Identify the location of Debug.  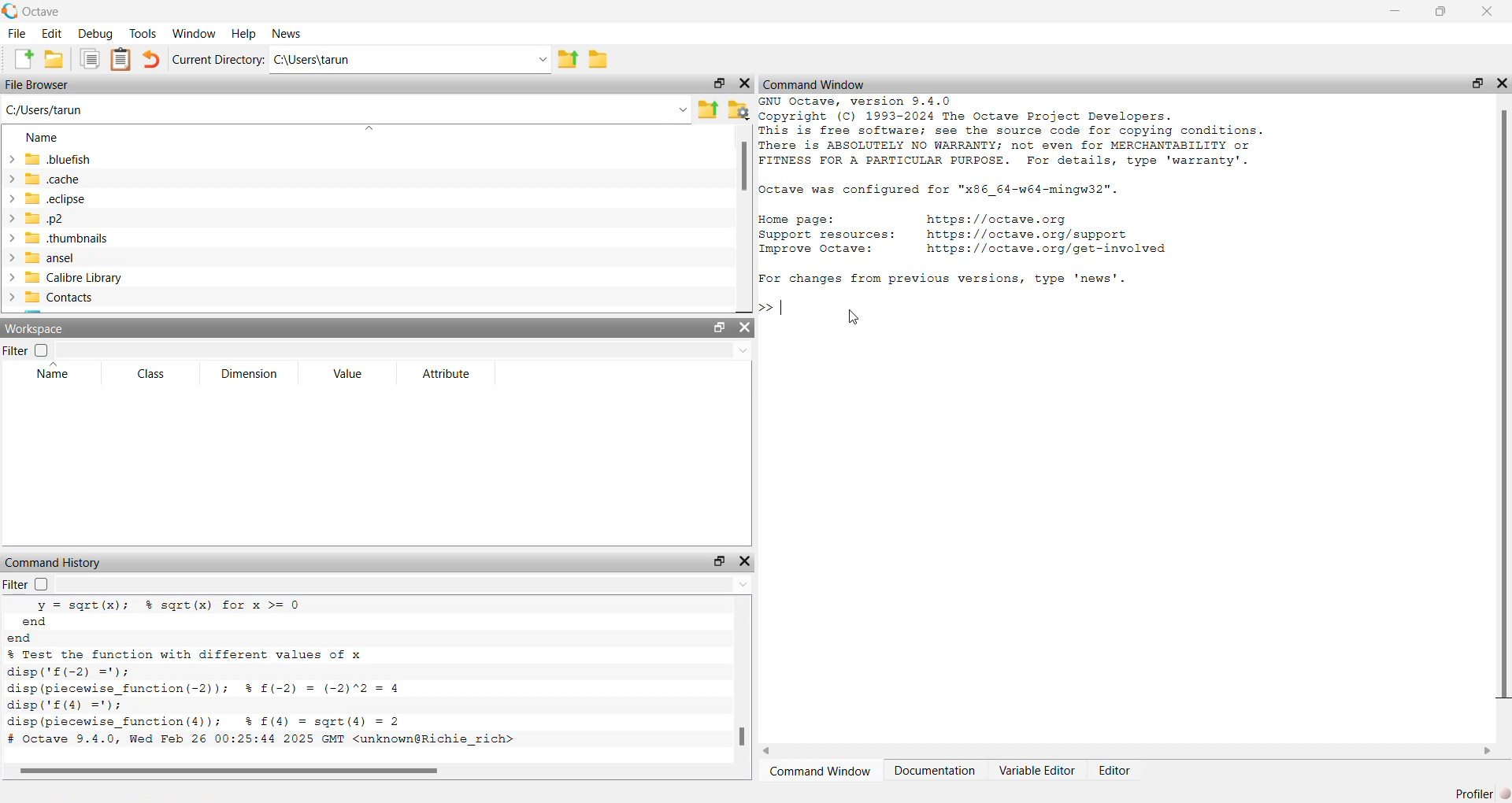
(95, 34).